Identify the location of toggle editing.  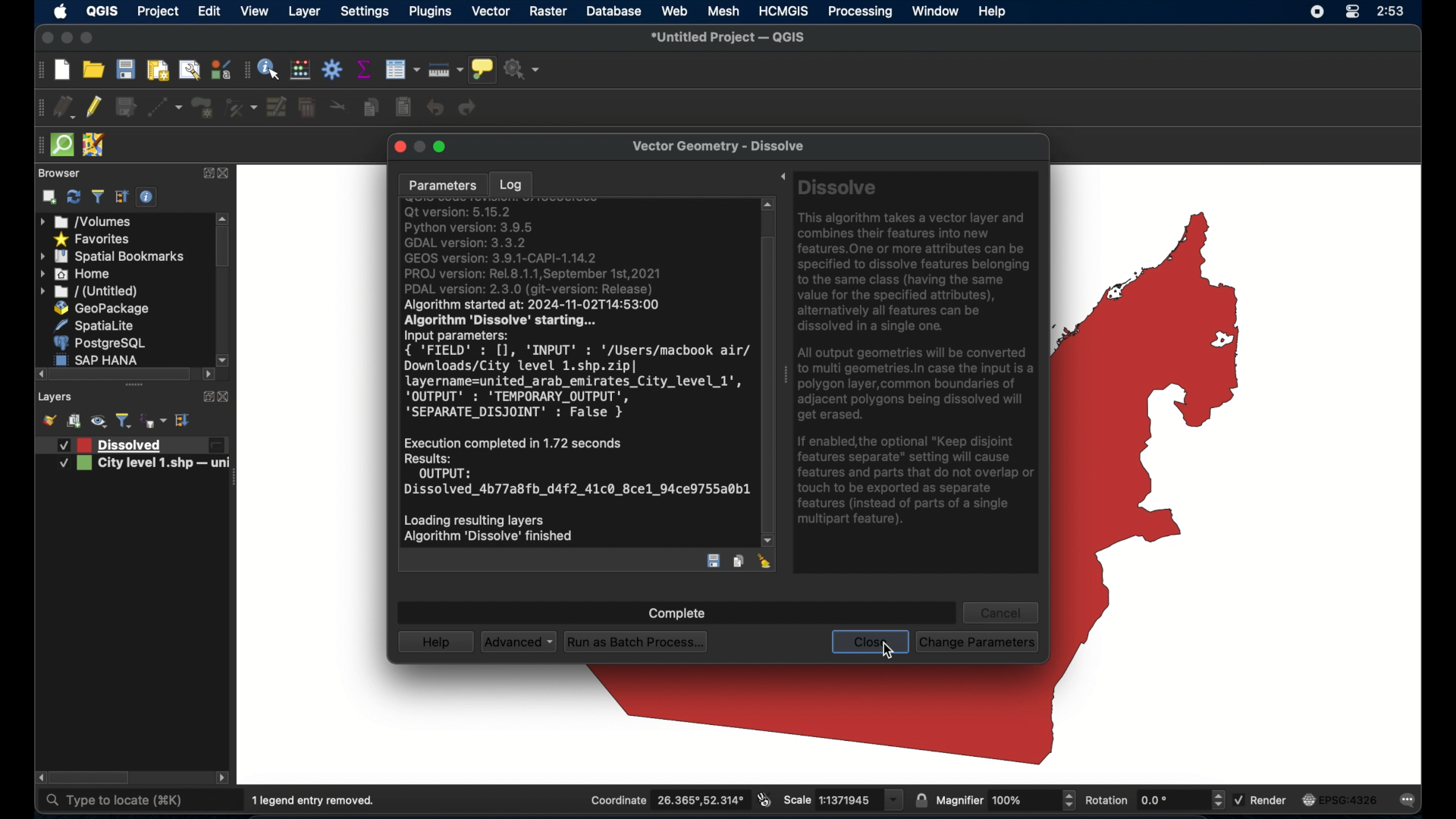
(95, 107).